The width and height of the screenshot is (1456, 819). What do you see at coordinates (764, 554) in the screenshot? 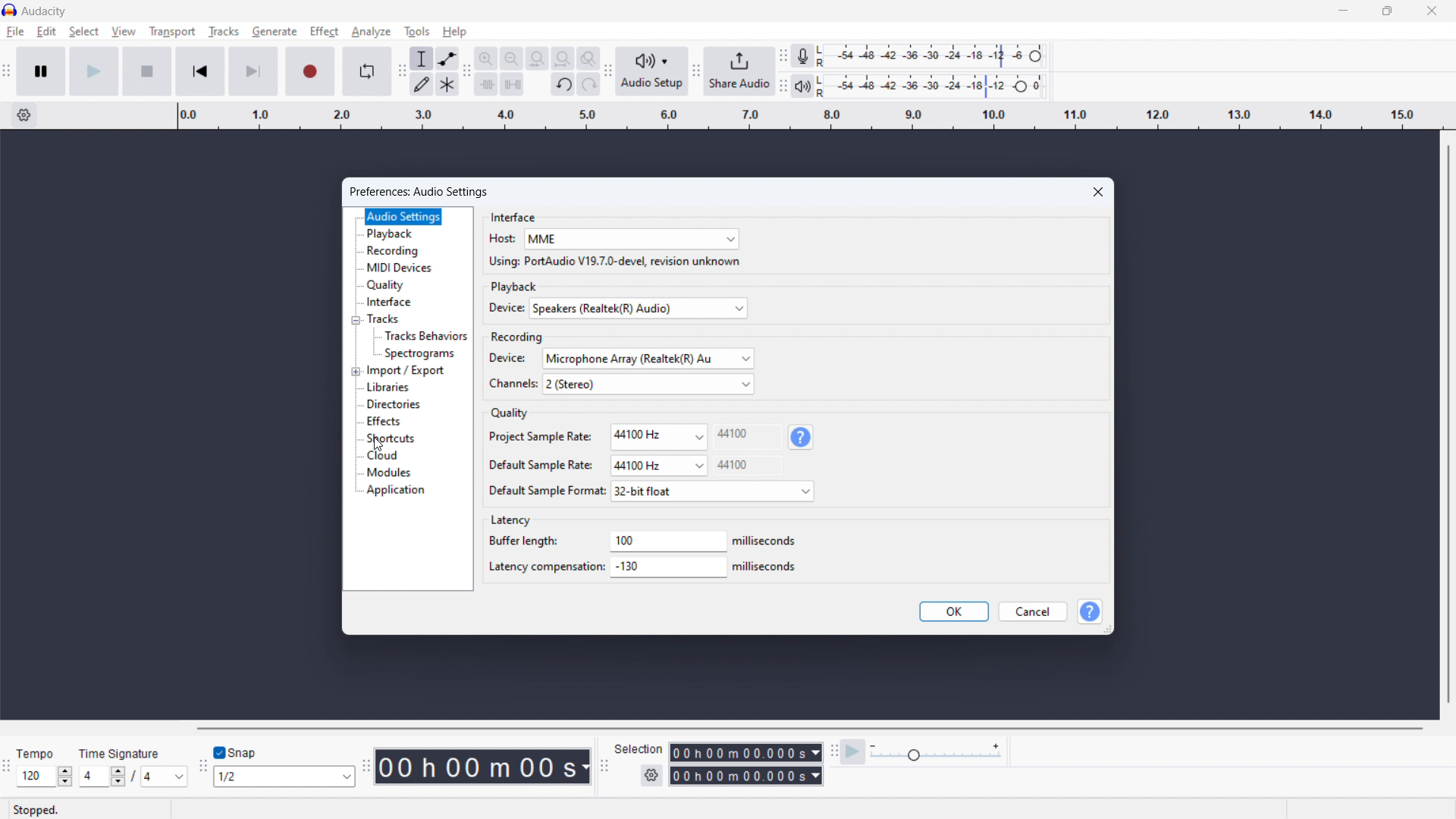
I see `Current measurement for Latency settings` at bounding box center [764, 554].